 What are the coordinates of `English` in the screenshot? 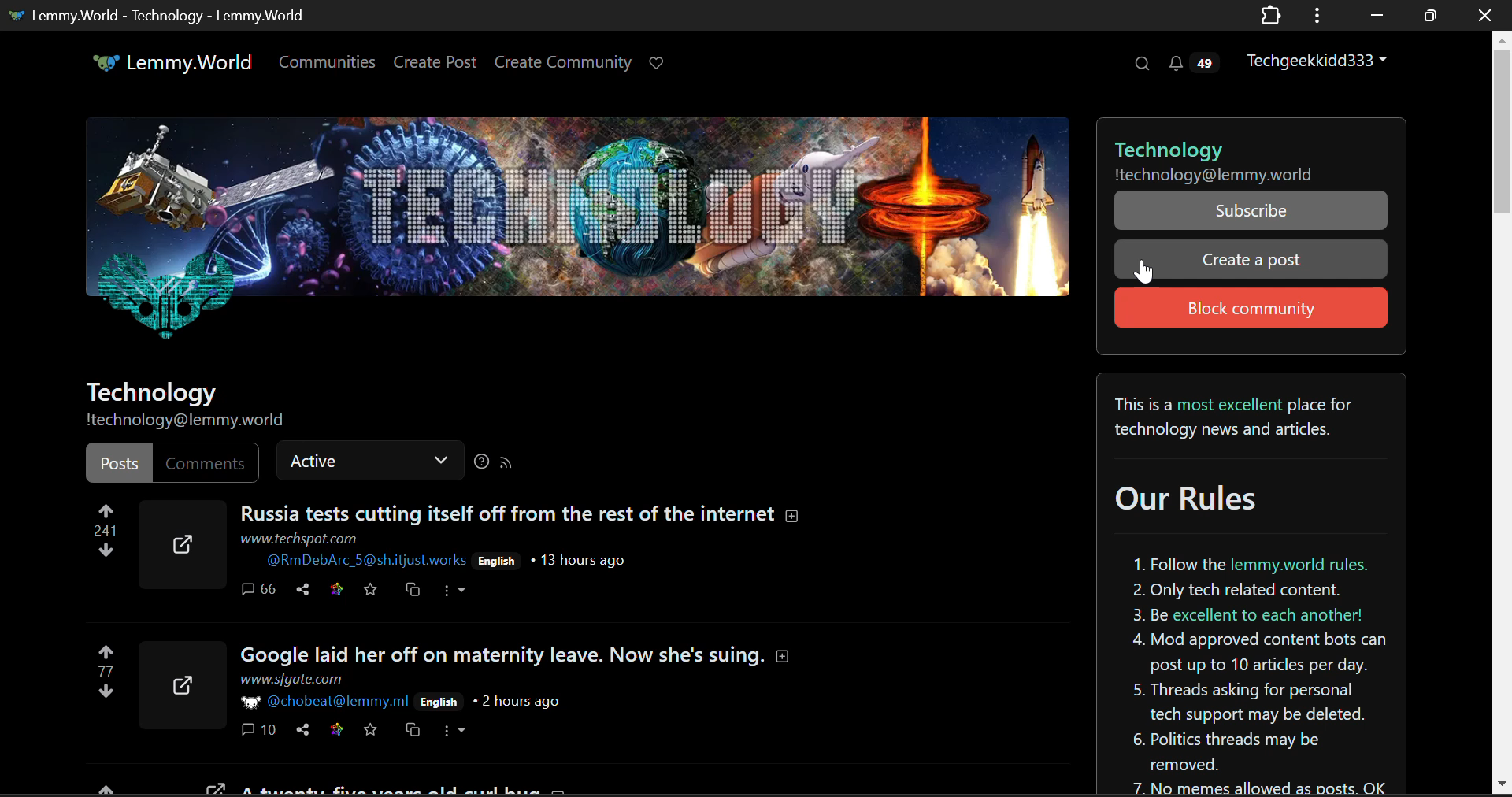 It's located at (497, 562).